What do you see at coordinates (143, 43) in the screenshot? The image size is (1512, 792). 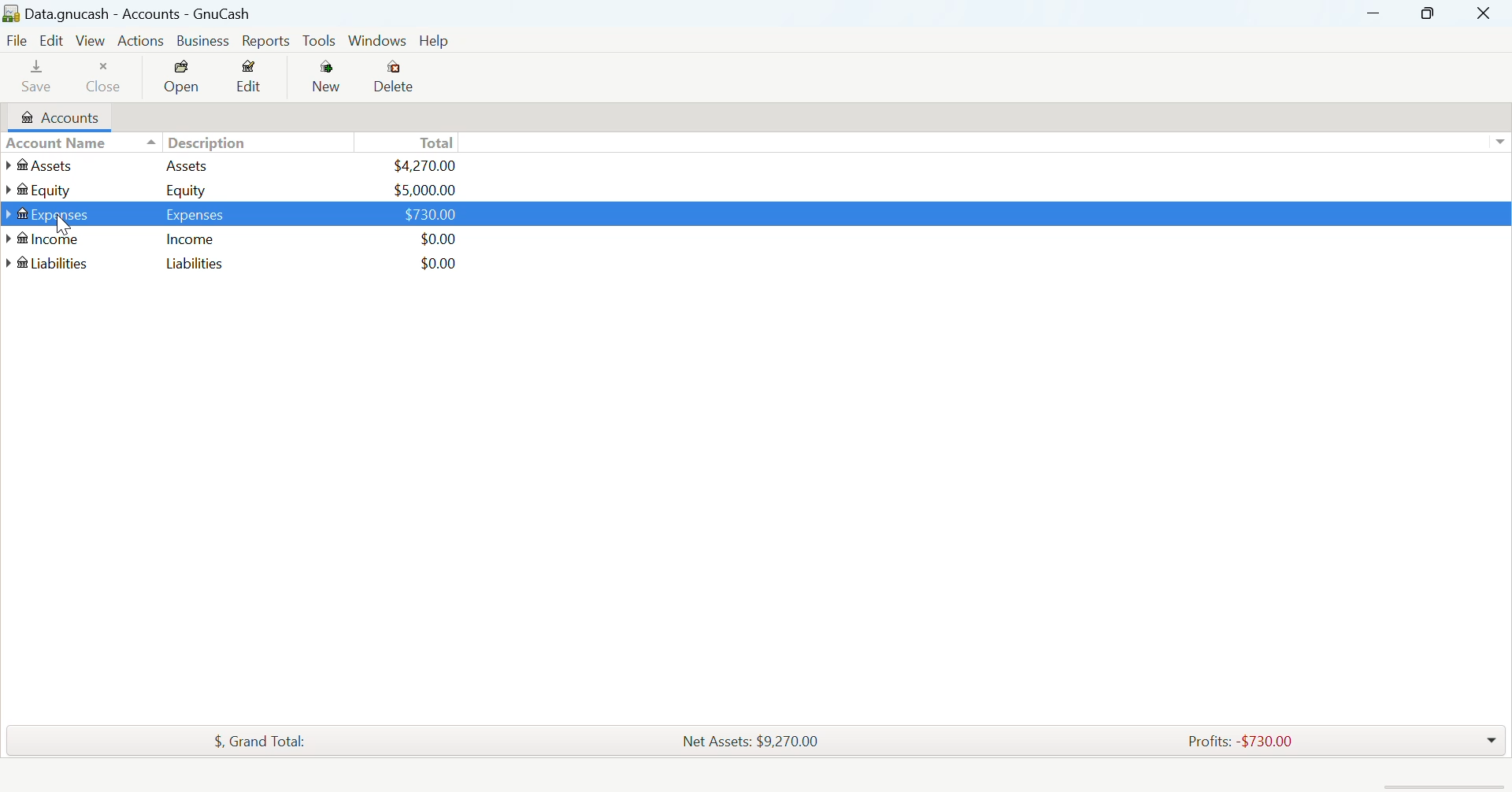 I see `Actions` at bounding box center [143, 43].